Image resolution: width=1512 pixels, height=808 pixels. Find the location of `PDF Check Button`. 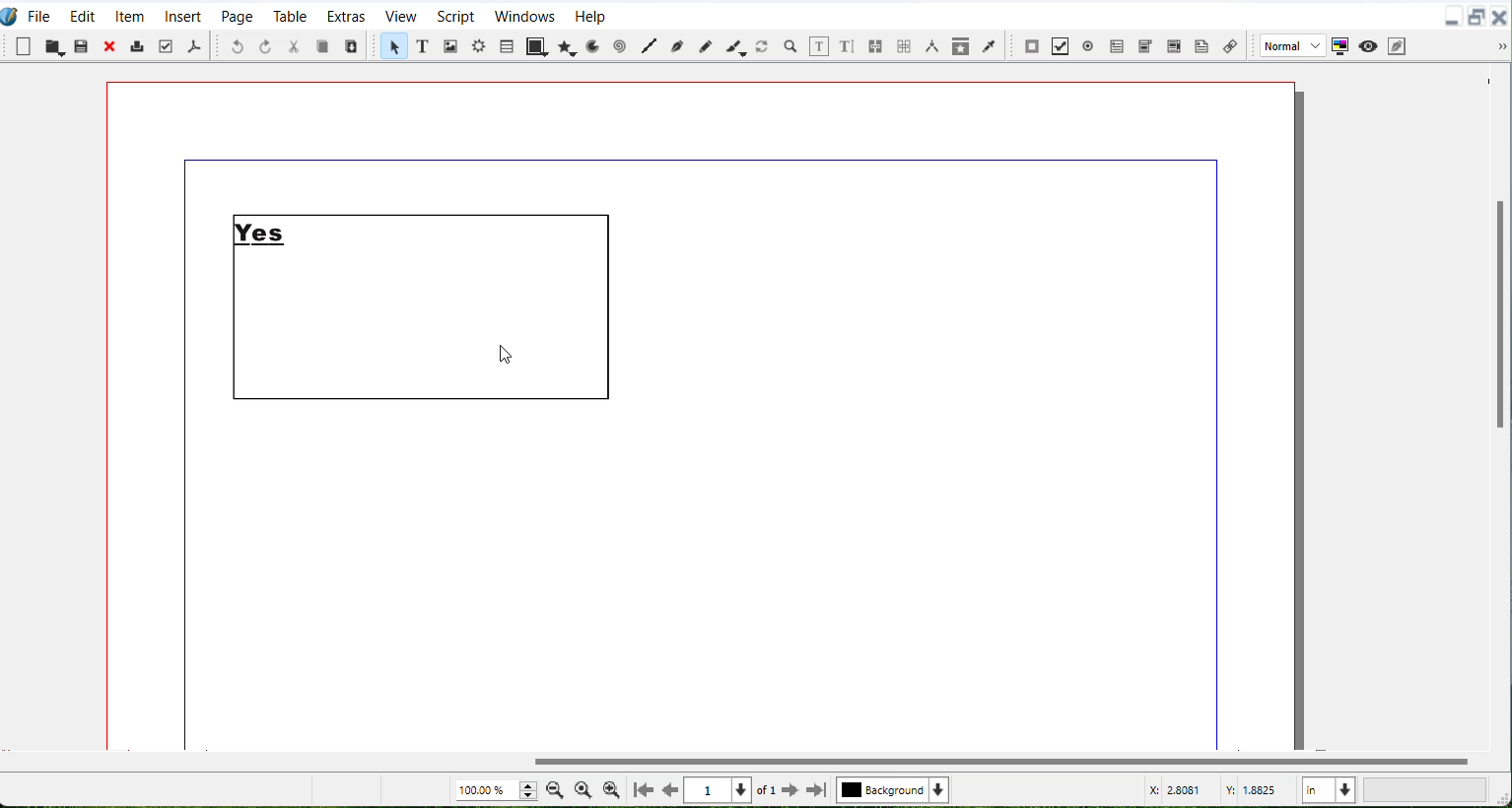

PDF Check Button is located at coordinates (1063, 45).